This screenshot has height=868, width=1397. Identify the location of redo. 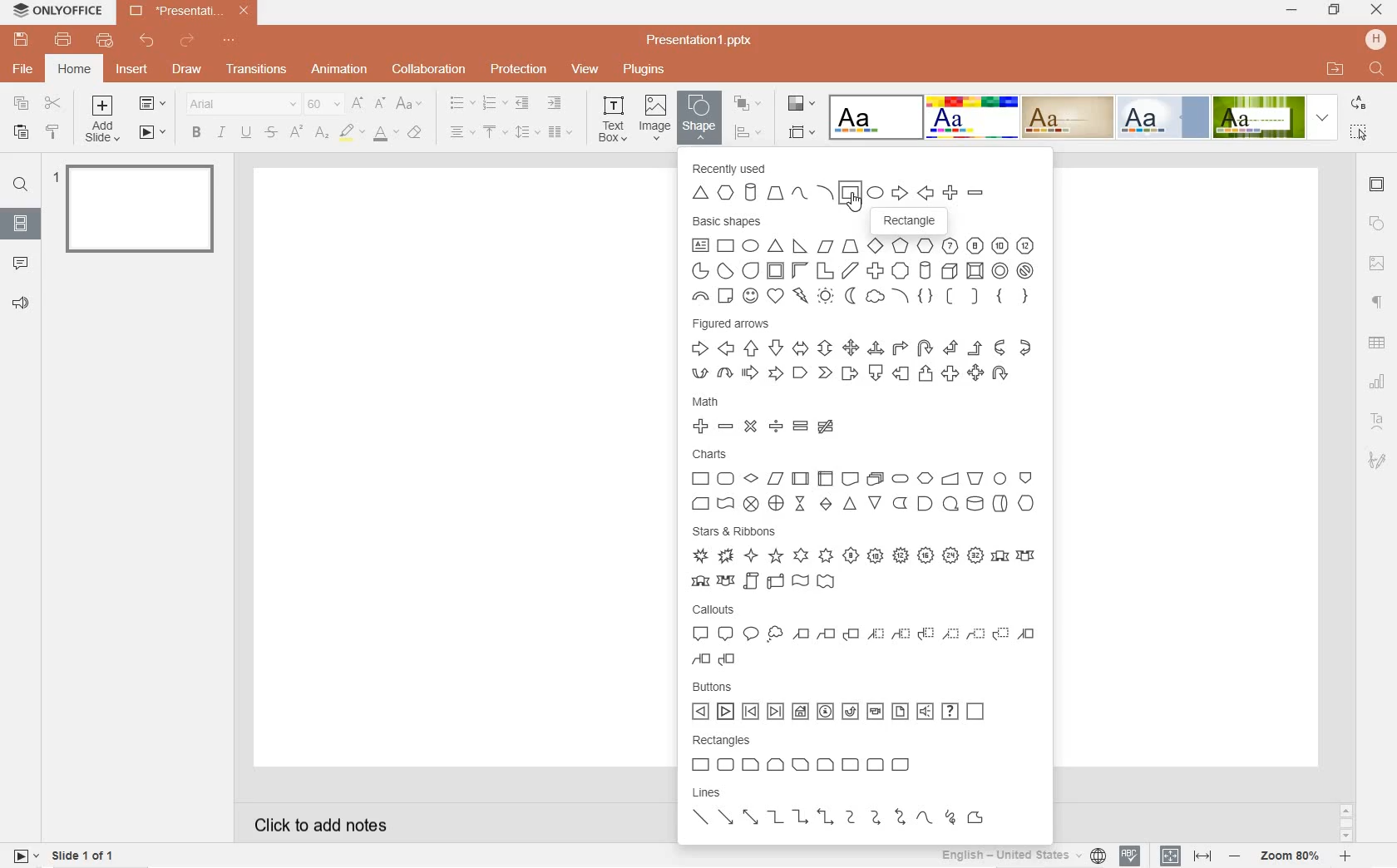
(188, 42).